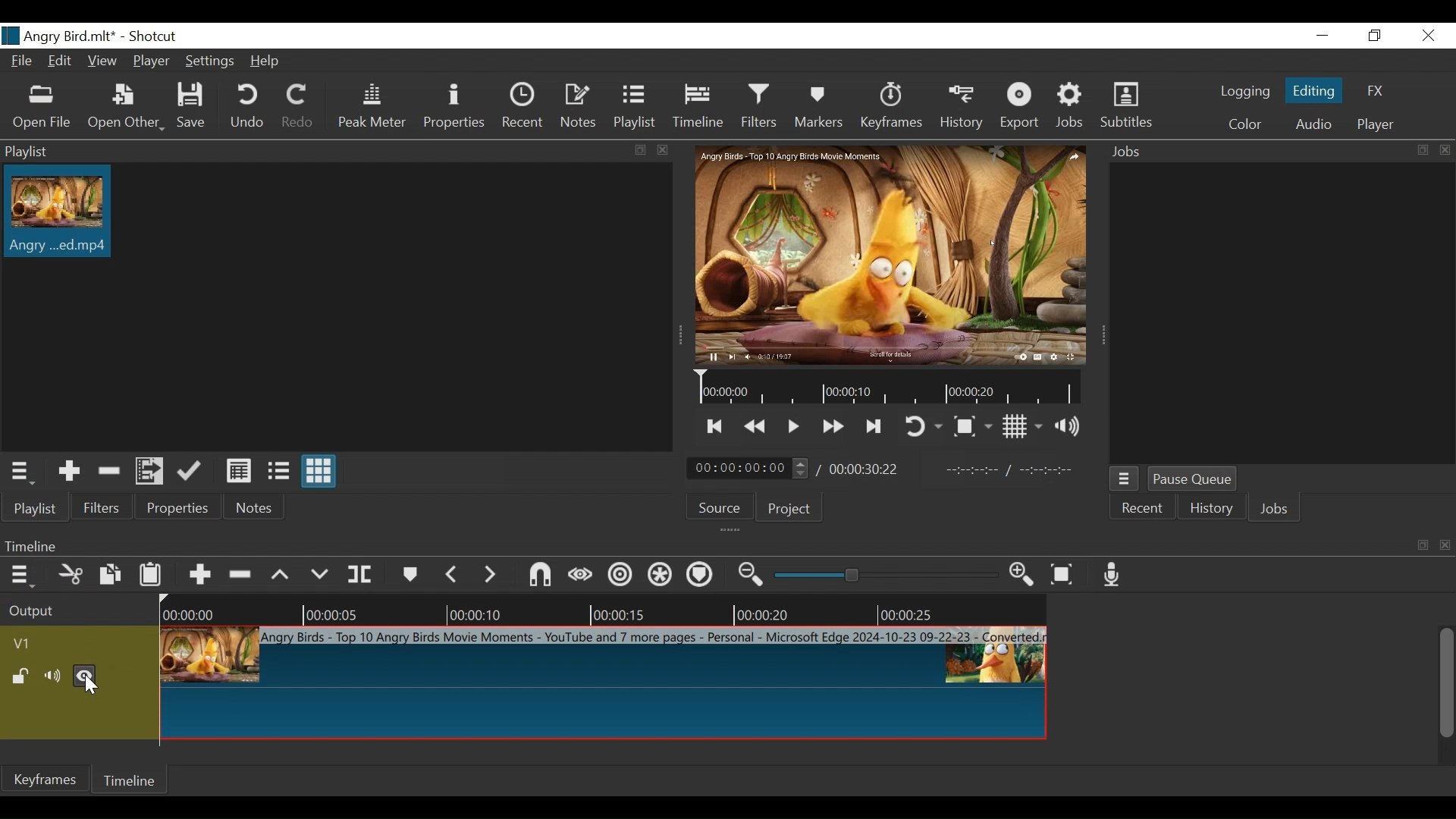  Describe the element at coordinates (792, 426) in the screenshot. I see `Toggle play or pause (space)` at that location.